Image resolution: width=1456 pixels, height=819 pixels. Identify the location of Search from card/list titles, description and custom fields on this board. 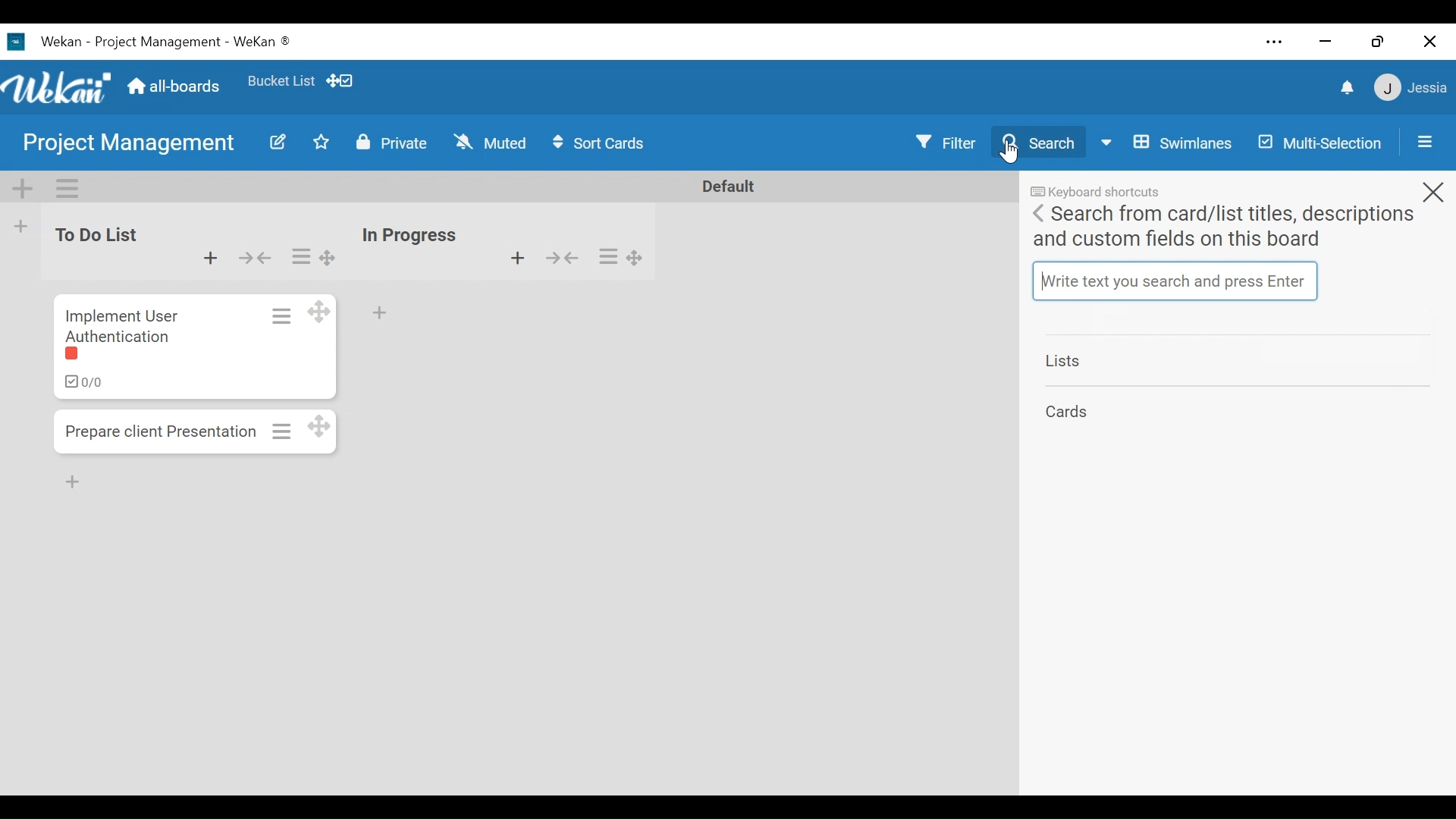
(1223, 228).